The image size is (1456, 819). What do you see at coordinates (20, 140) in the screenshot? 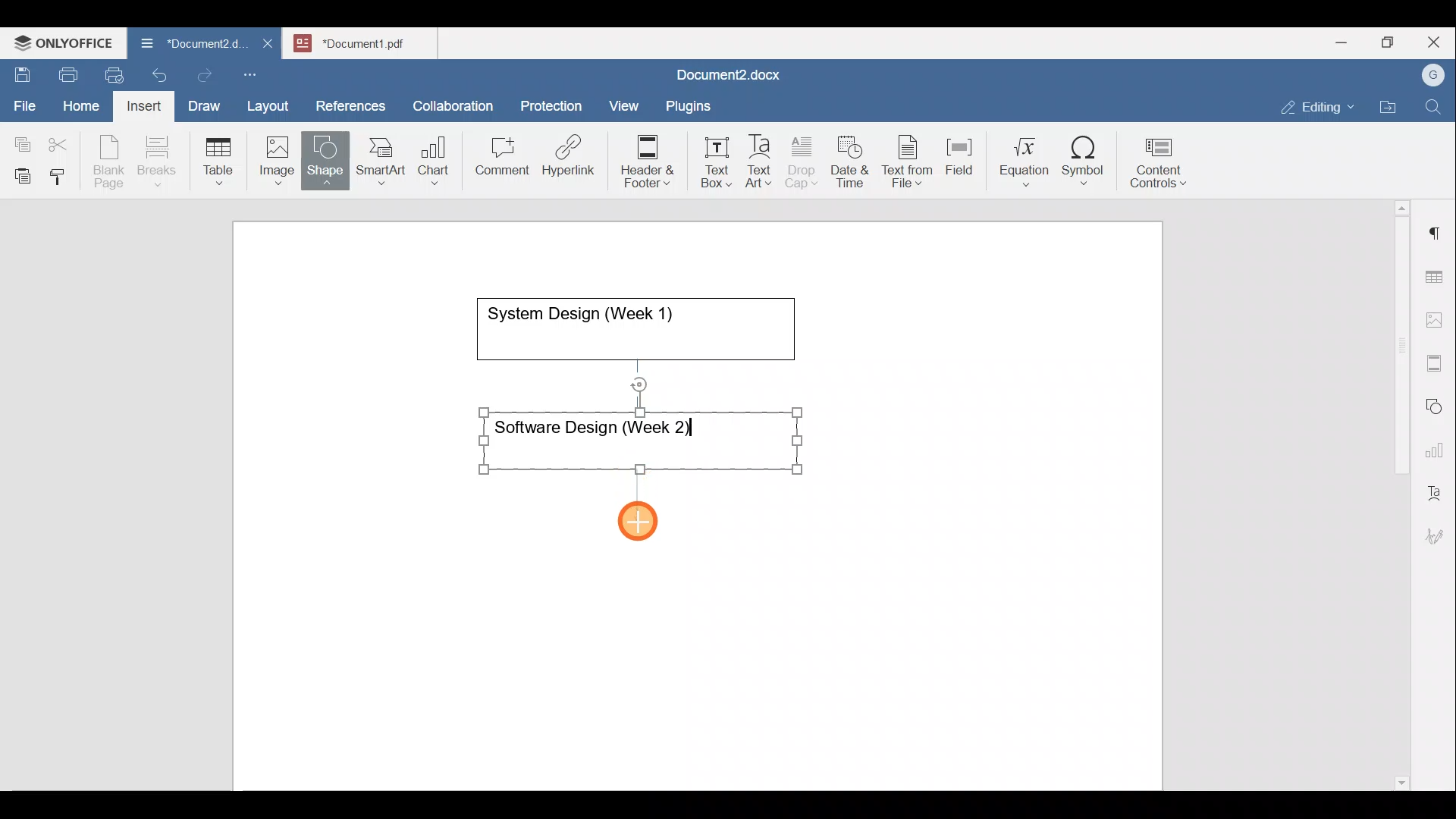
I see `Copy` at bounding box center [20, 140].